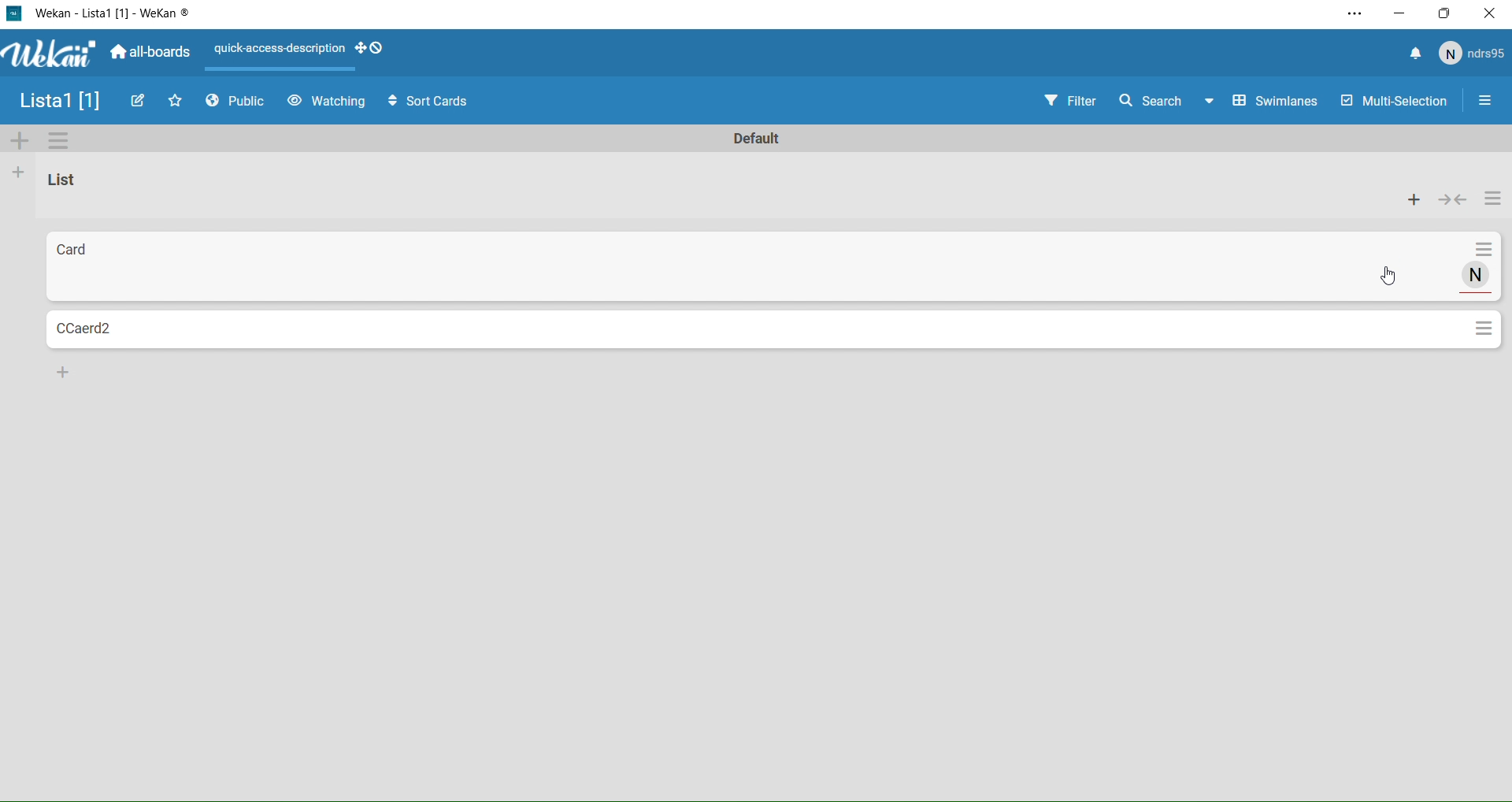 The height and width of the screenshot is (802, 1512). Describe the element at coordinates (326, 102) in the screenshot. I see `Watching` at that location.